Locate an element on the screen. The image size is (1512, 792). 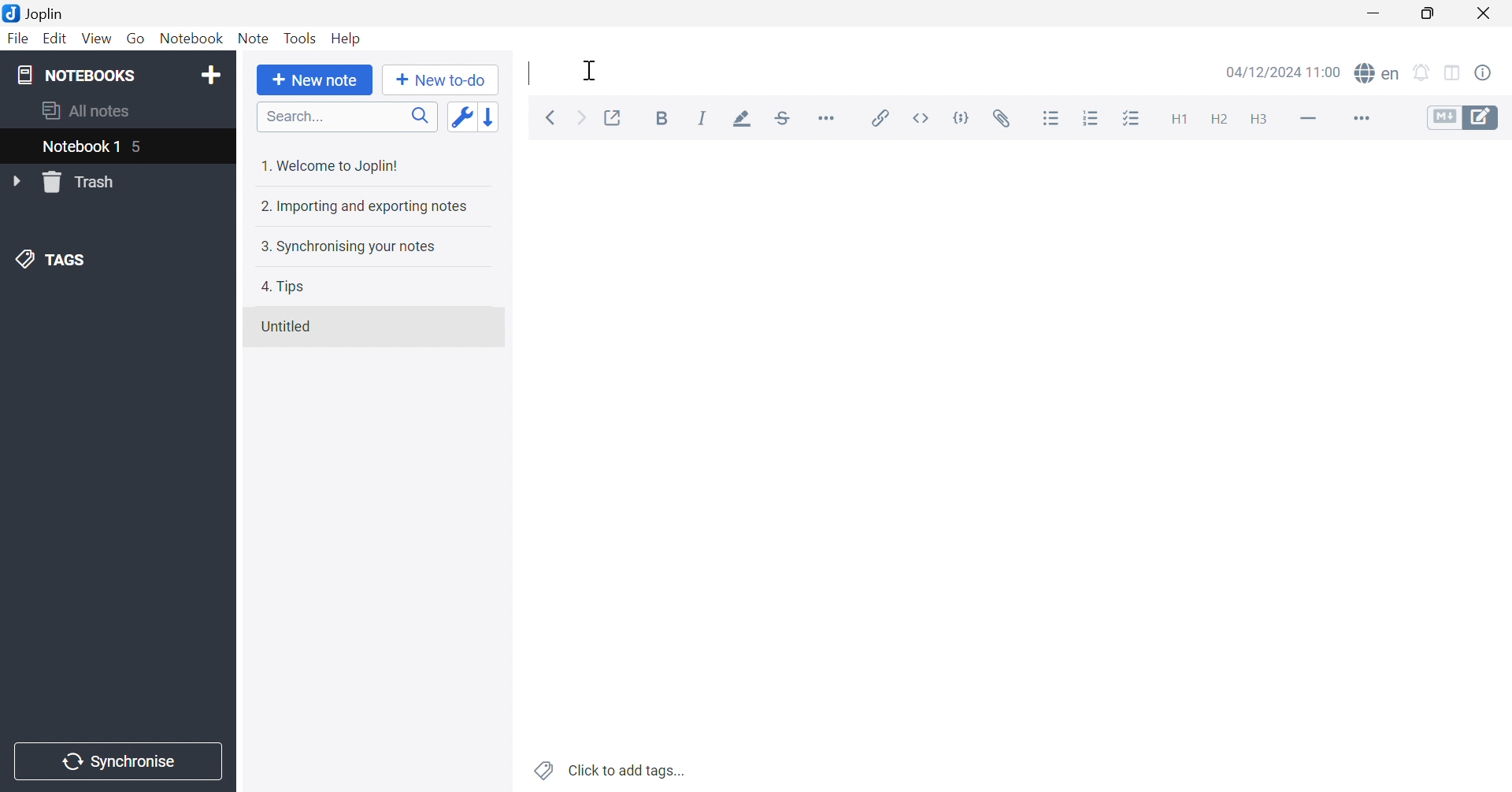
Insert / edit link is located at coordinates (881, 117).